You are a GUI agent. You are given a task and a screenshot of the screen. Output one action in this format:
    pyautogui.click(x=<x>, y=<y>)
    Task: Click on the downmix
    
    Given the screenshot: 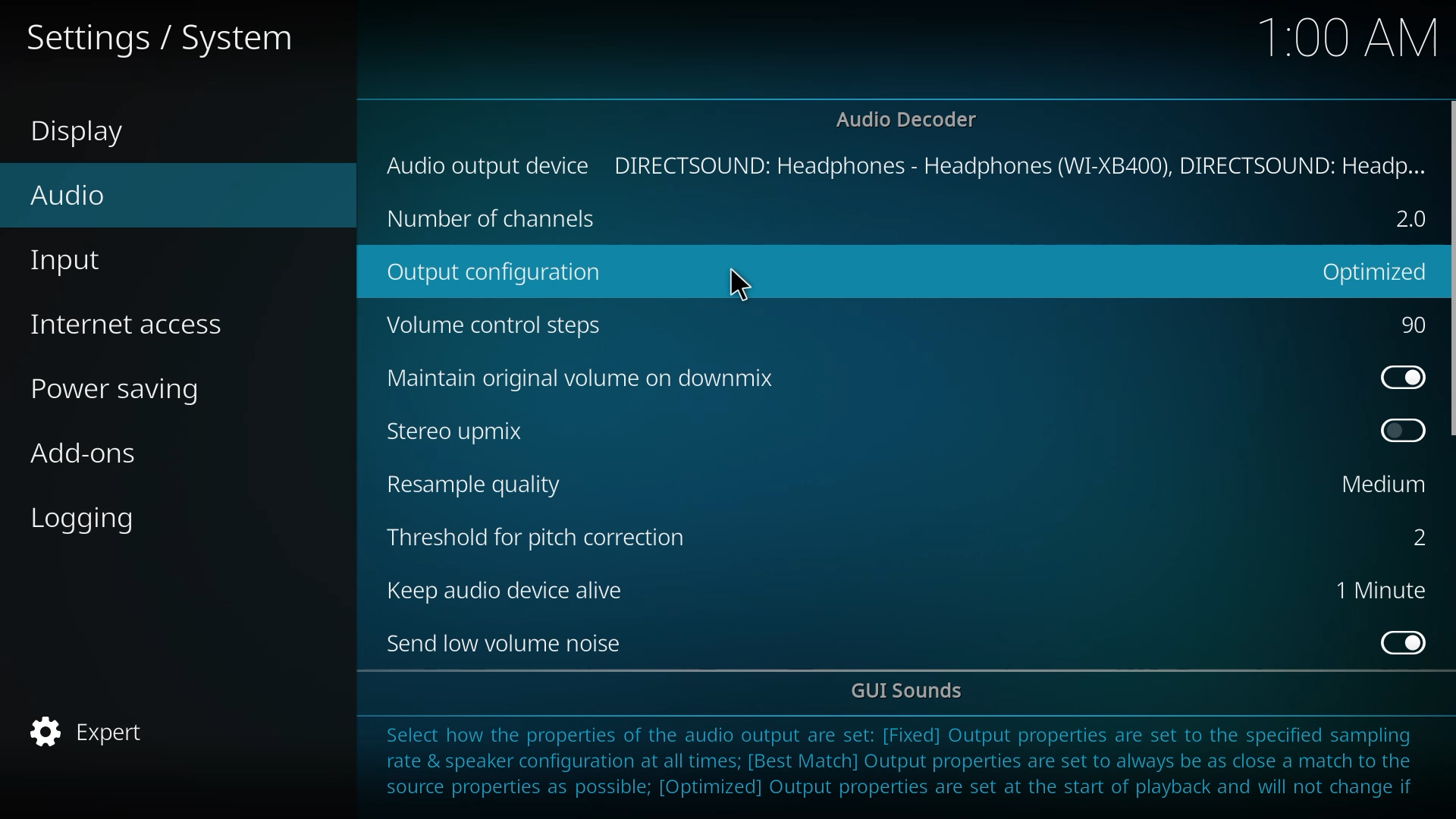 What is the action you would take?
    pyautogui.click(x=588, y=379)
    